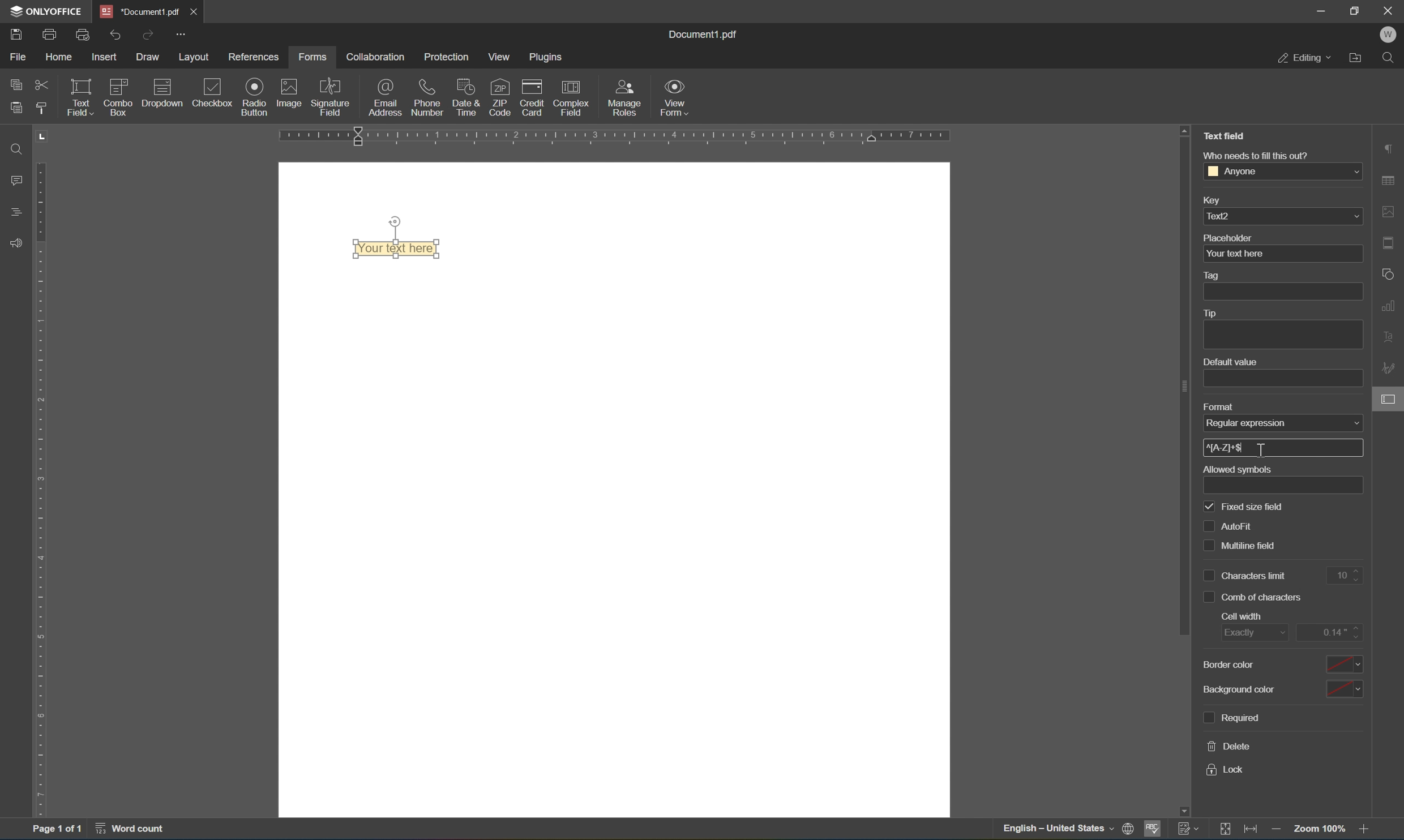 The height and width of the screenshot is (840, 1404). I want to click on fit to slide, so click(1222, 832).